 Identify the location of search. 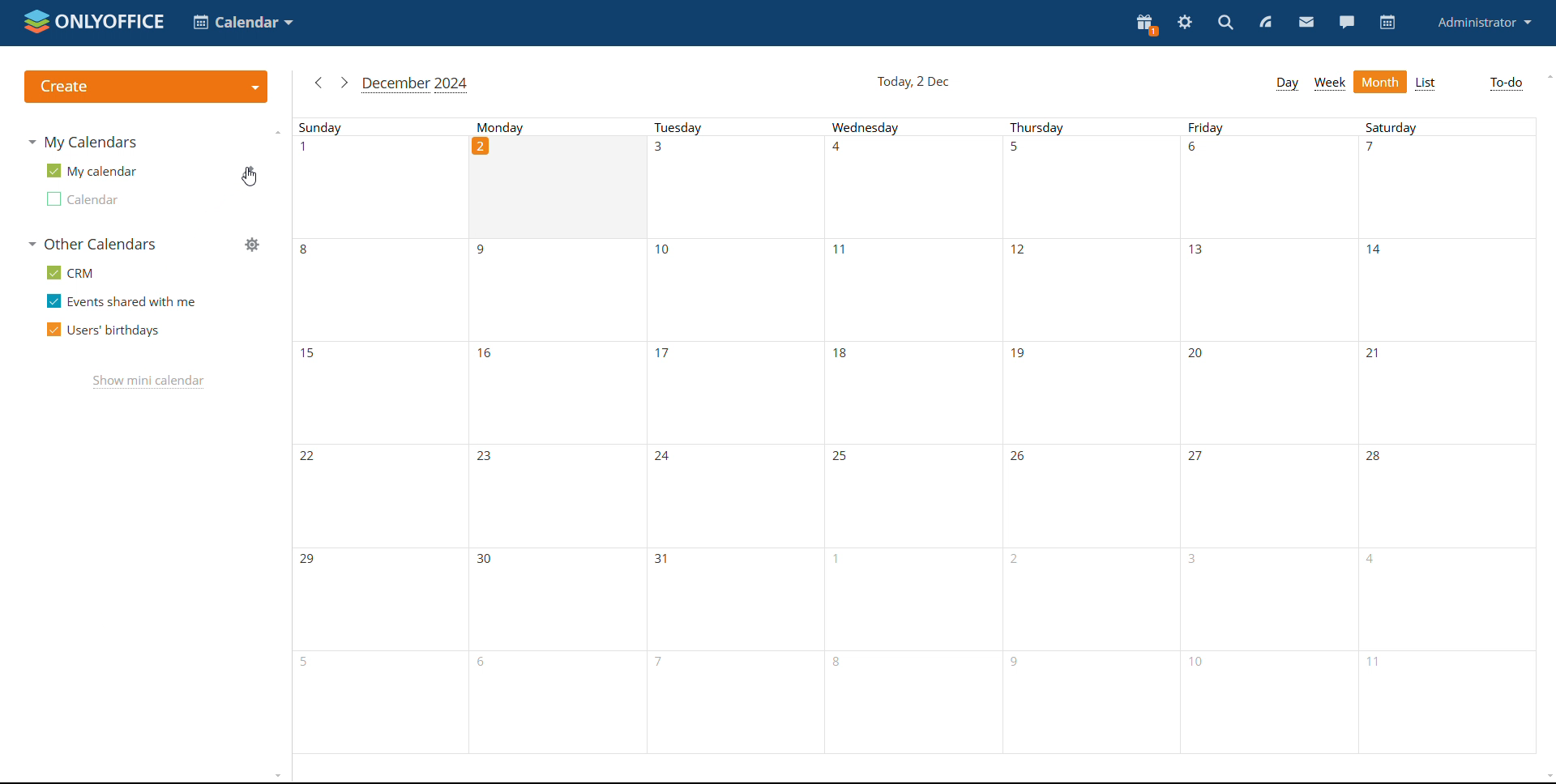
(1225, 24).